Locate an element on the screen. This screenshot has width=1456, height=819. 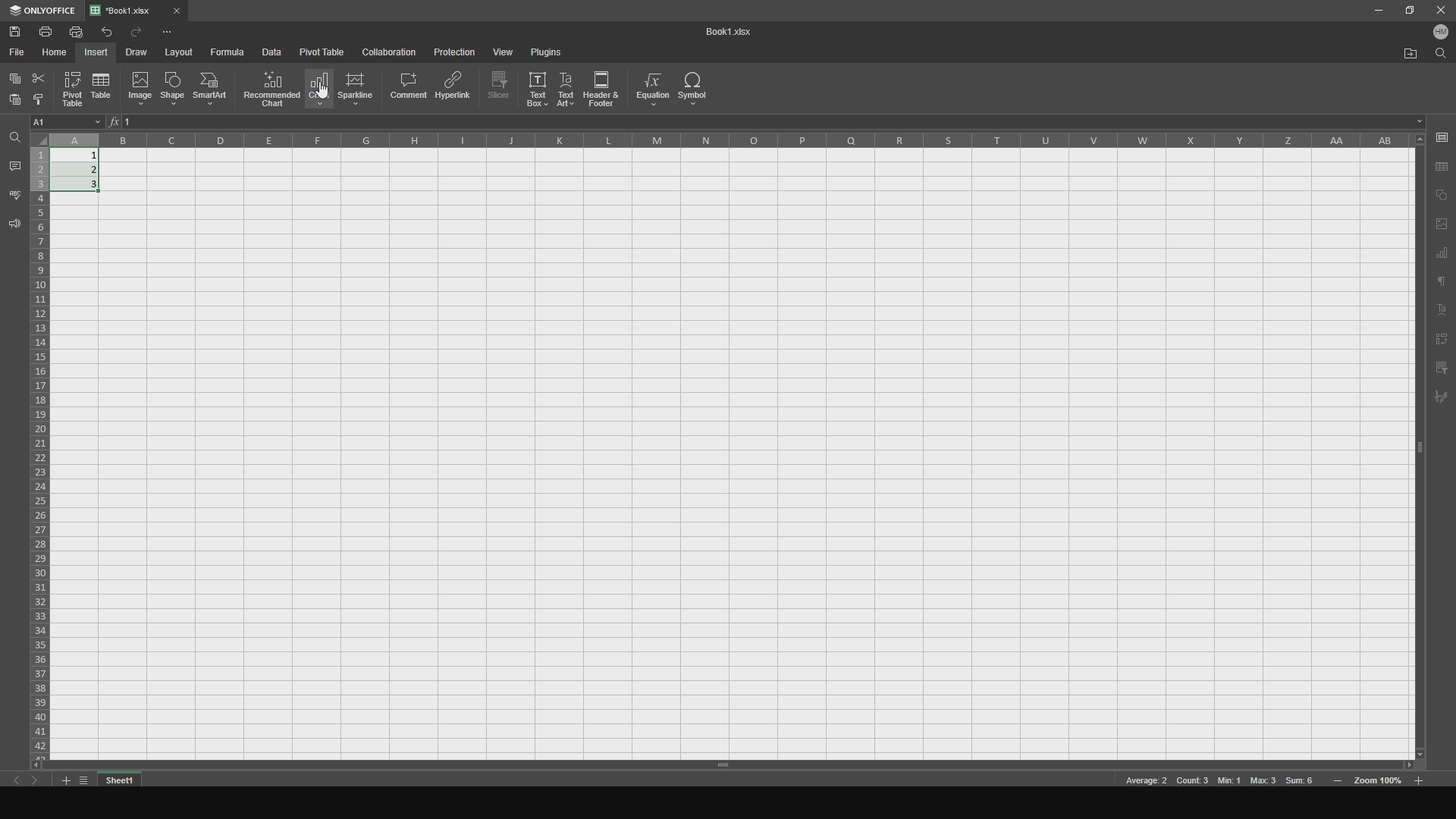
header and footer is located at coordinates (602, 88).